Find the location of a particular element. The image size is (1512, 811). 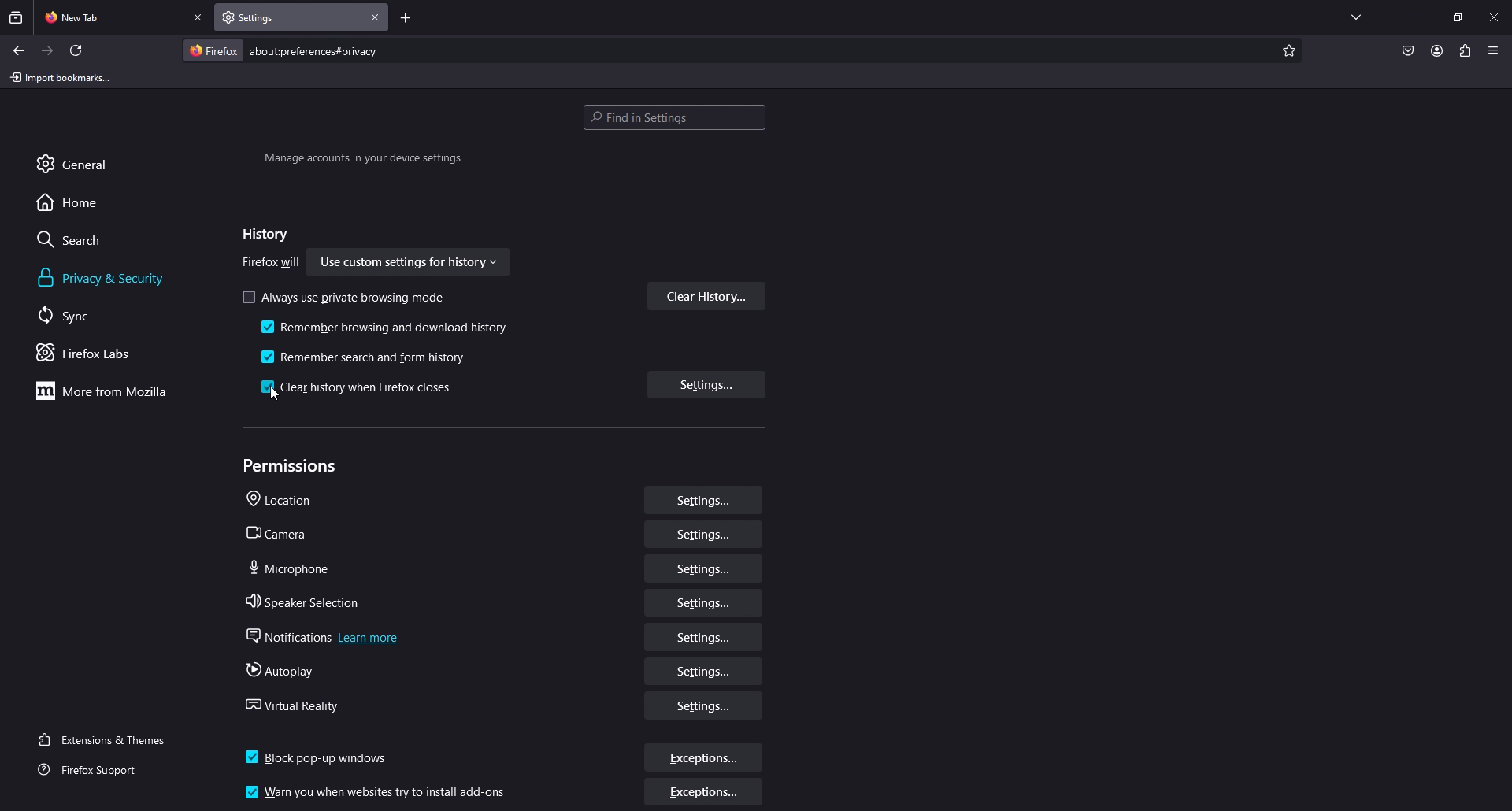

permissions is located at coordinates (294, 466).